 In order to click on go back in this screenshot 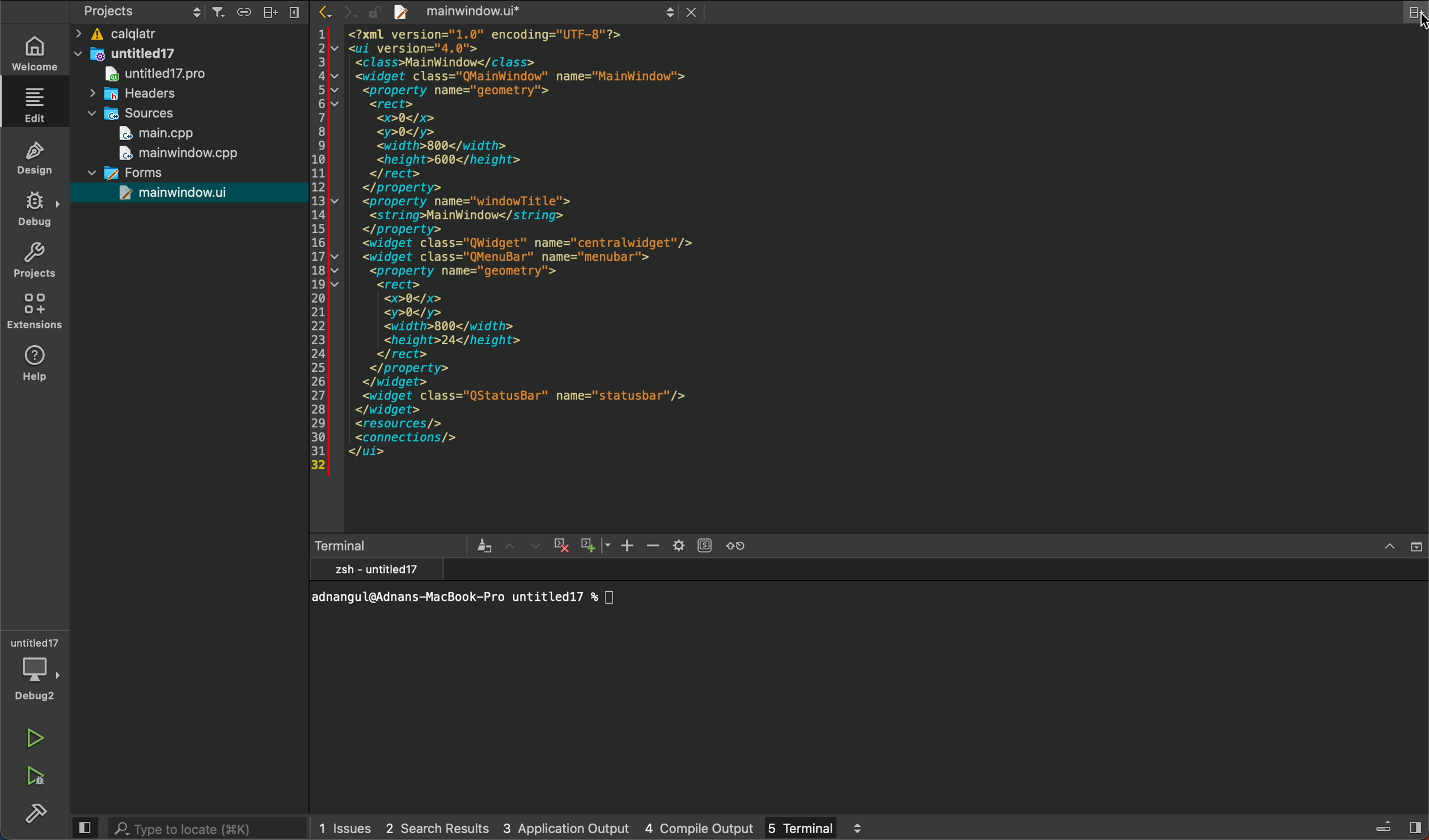, I will do `click(323, 11)`.